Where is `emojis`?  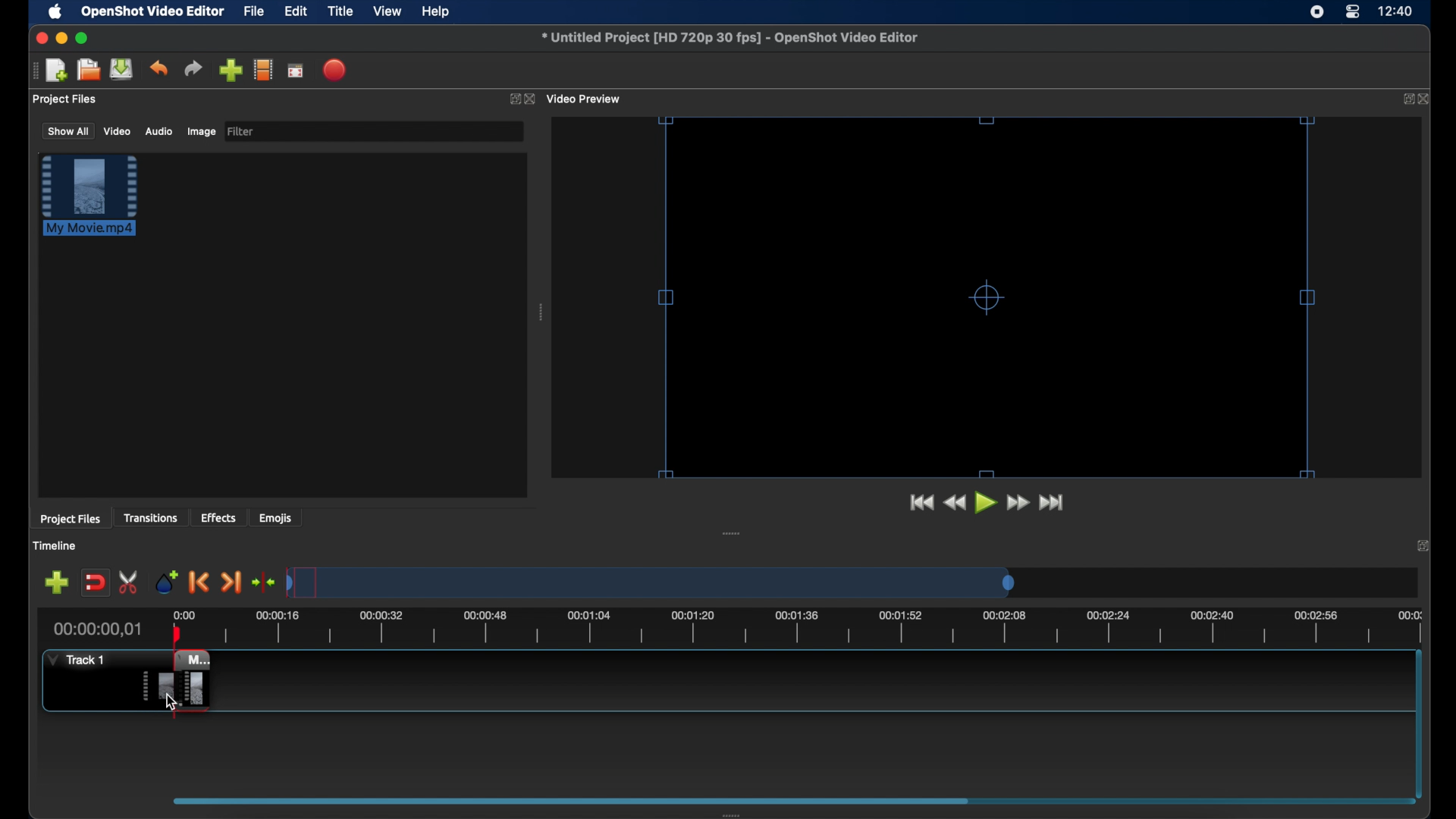
emojis is located at coordinates (277, 519).